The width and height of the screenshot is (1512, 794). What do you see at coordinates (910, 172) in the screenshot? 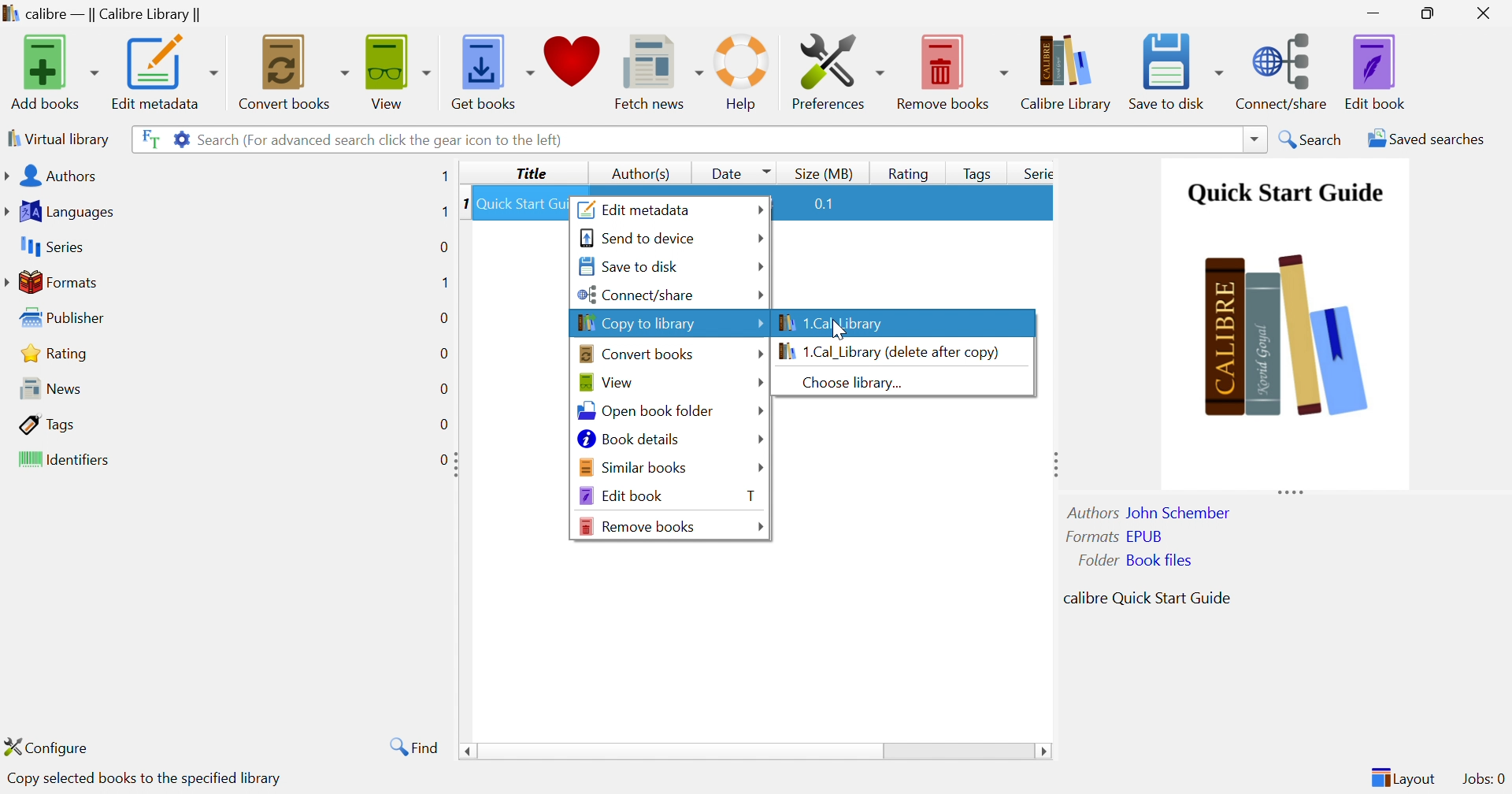
I see `` at bounding box center [910, 172].